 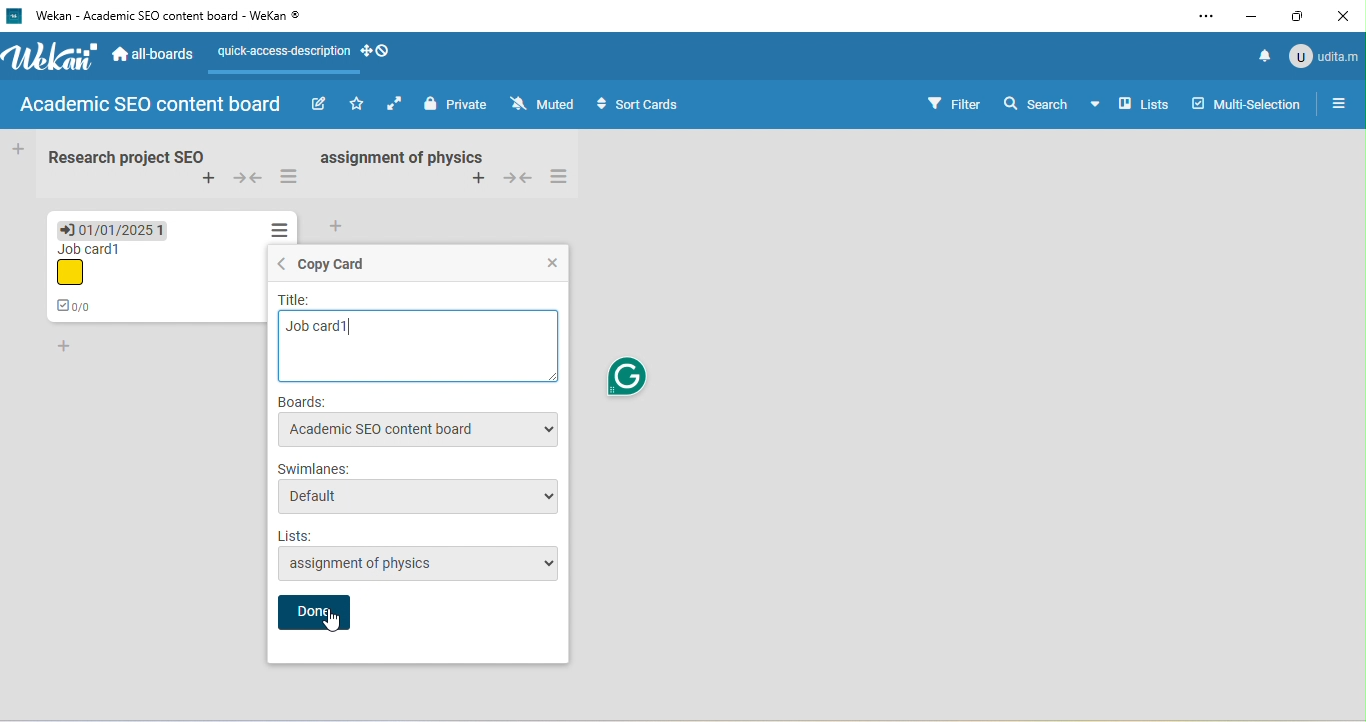 I want to click on default, so click(x=420, y=497).